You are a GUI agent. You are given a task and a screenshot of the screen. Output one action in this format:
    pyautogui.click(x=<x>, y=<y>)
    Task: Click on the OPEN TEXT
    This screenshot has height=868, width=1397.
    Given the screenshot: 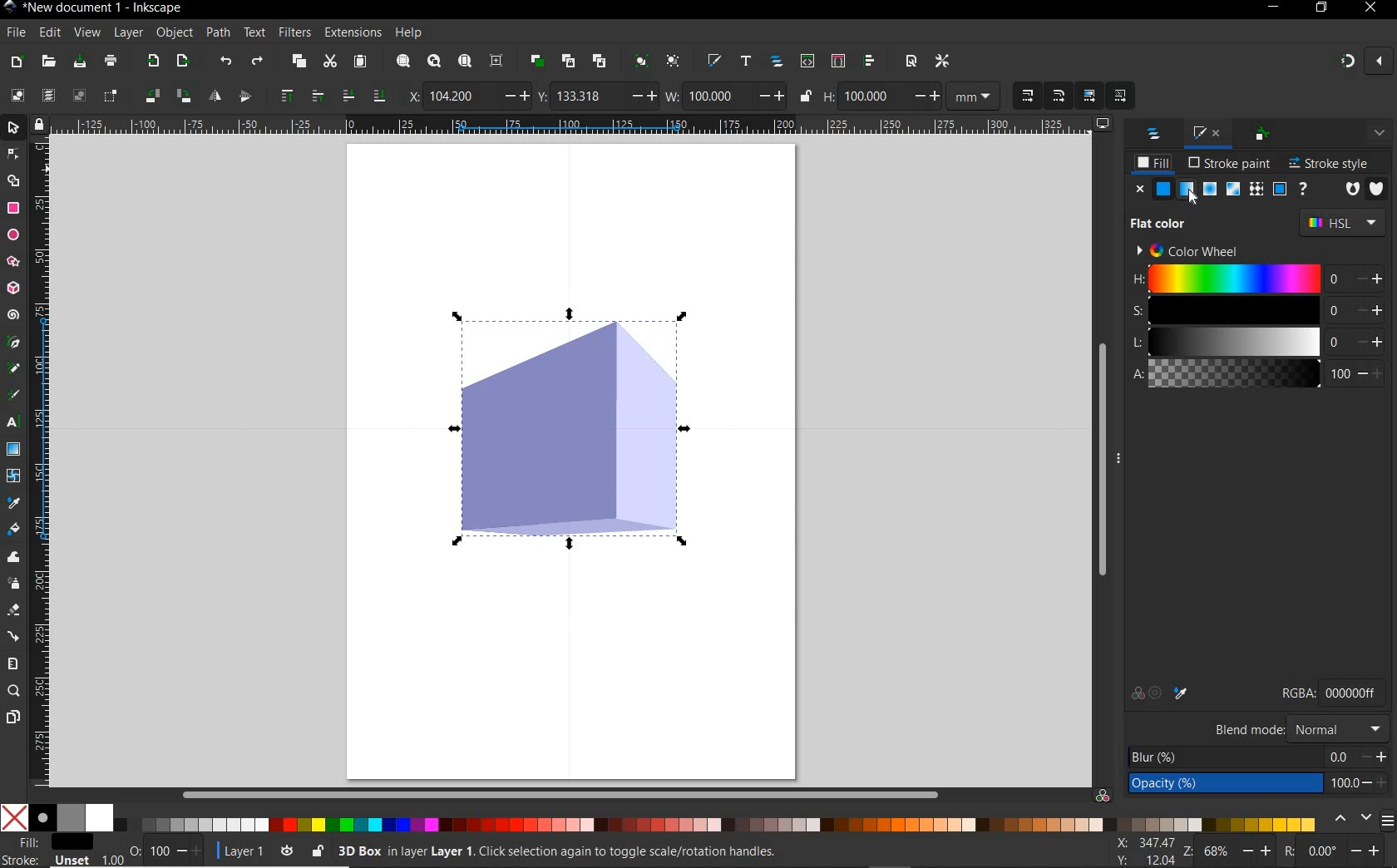 What is the action you would take?
    pyautogui.click(x=744, y=62)
    